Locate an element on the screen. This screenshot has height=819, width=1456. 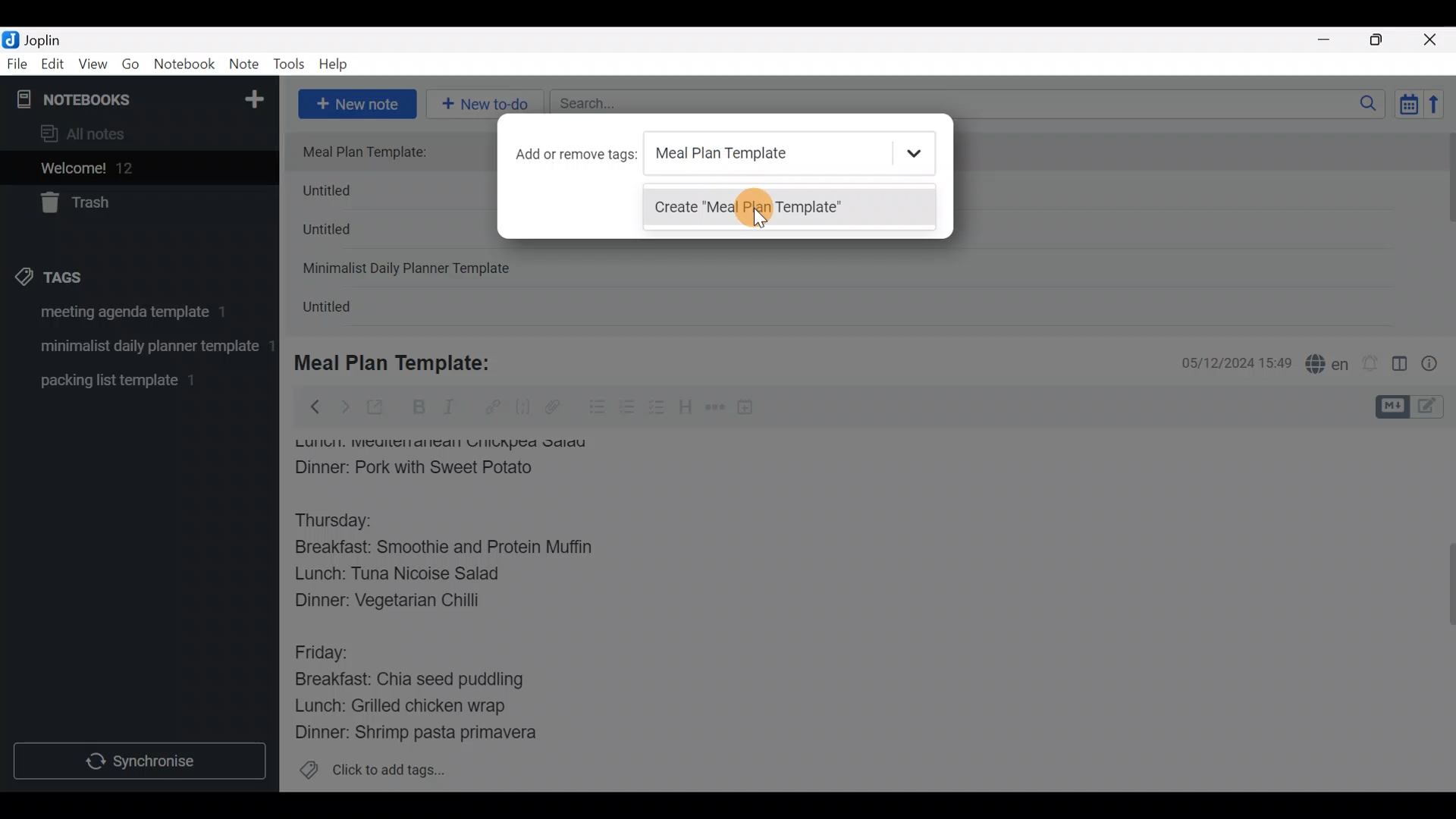
Tag 2 is located at coordinates (139, 348).